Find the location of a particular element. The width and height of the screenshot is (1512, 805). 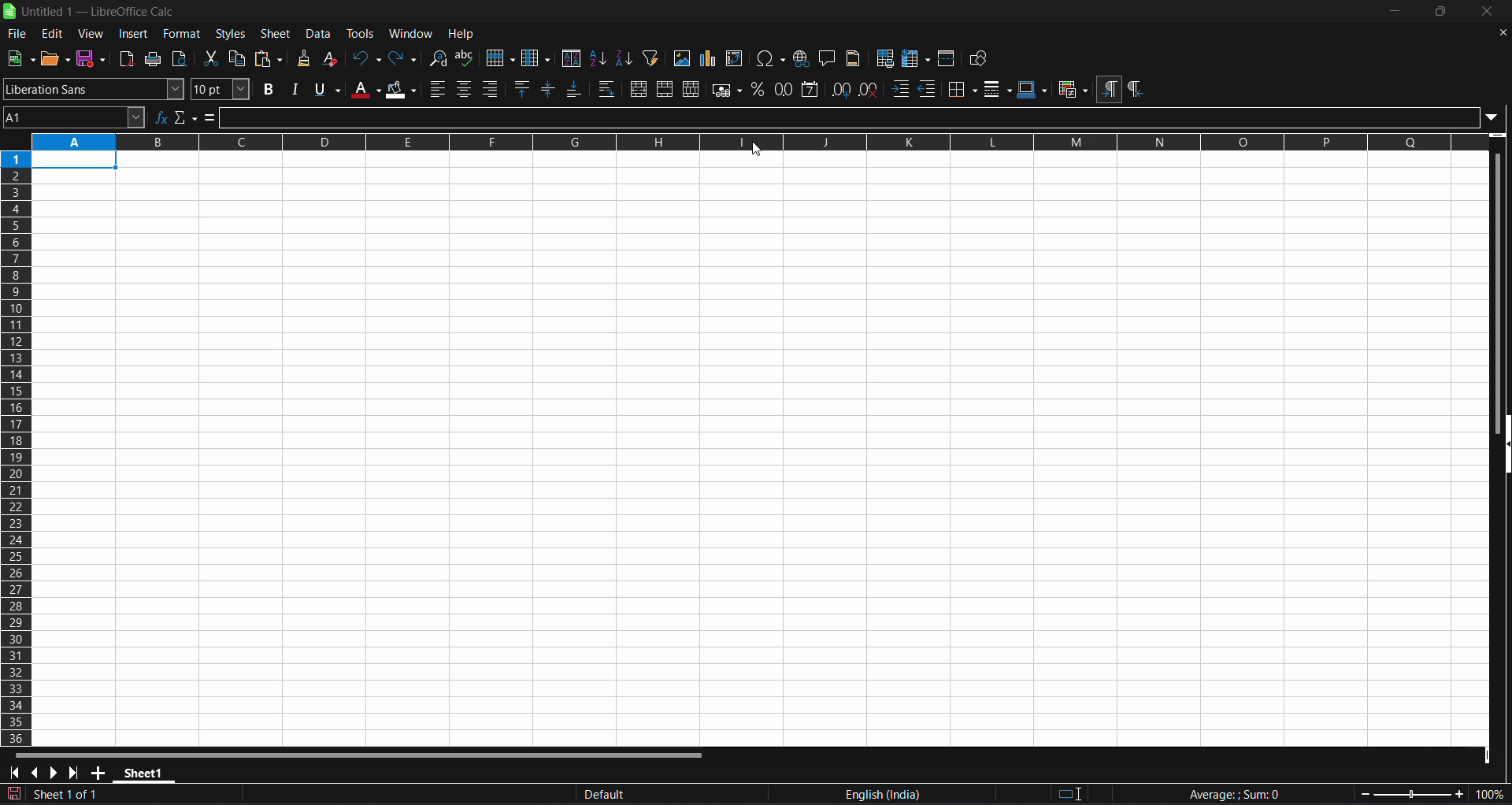

insert is located at coordinates (135, 33).